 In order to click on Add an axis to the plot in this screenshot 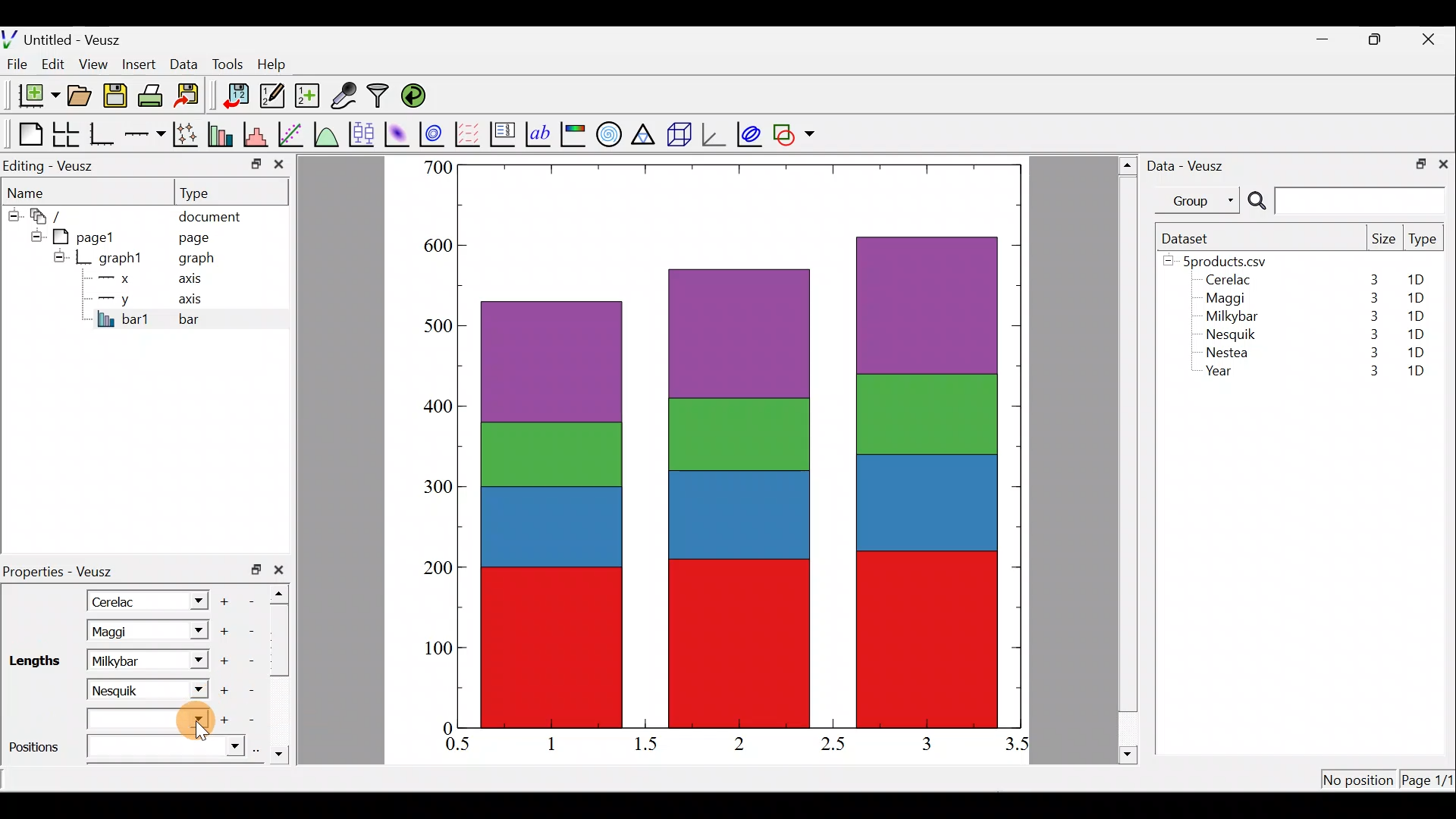, I will do `click(148, 134)`.